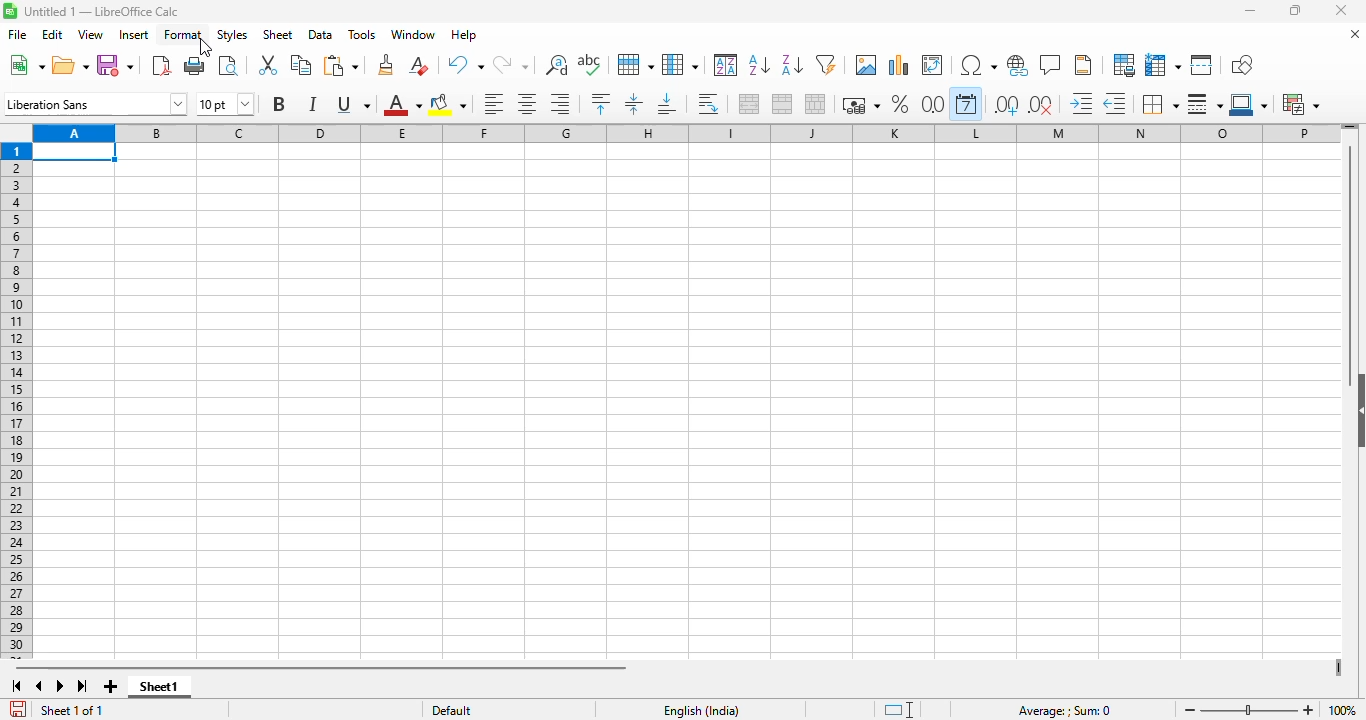  What do you see at coordinates (162, 65) in the screenshot?
I see `export directly as PDF` at bounding box center [162, 65].